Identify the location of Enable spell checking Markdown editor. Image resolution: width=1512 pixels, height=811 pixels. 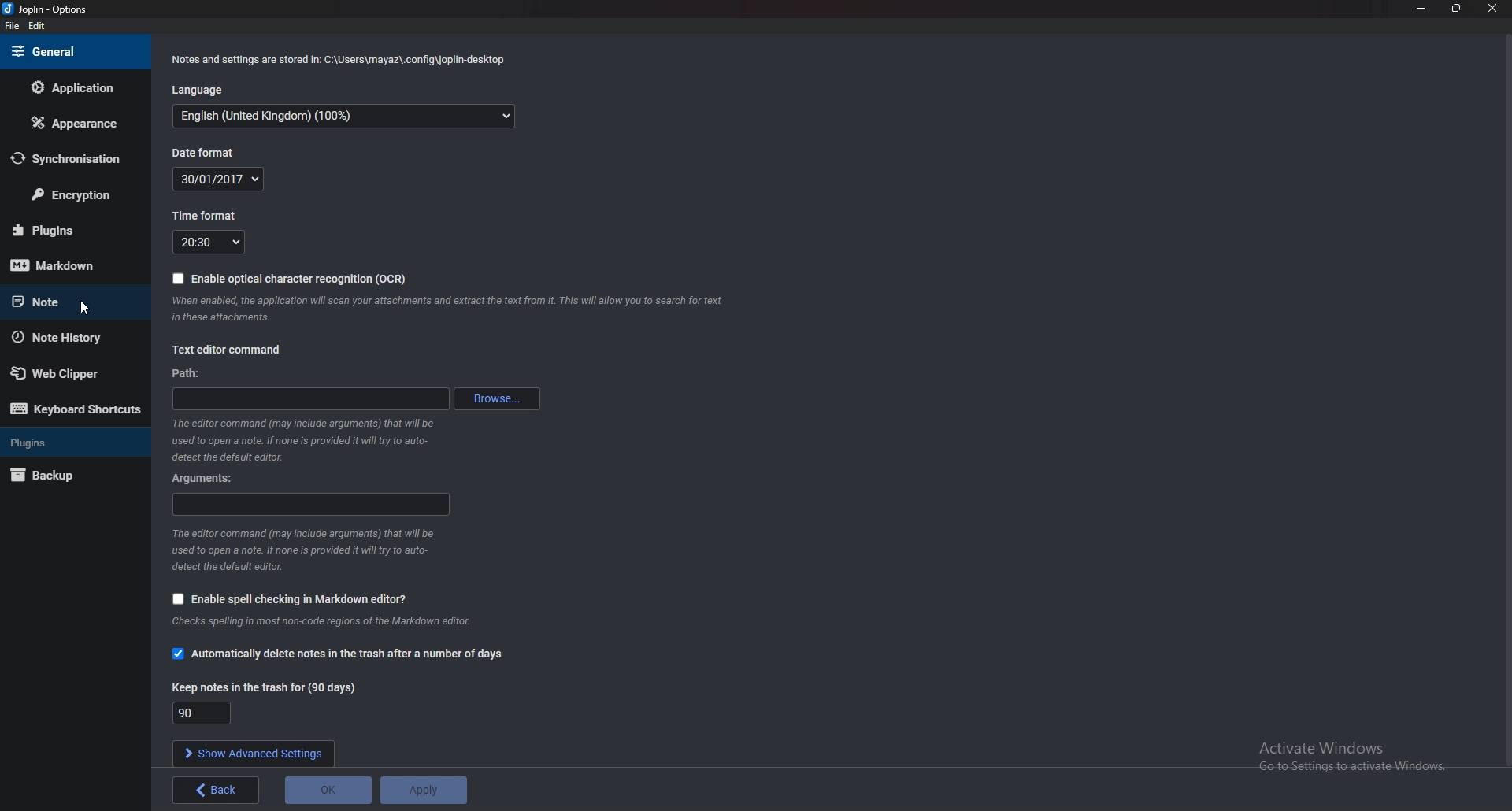
(291, 599).